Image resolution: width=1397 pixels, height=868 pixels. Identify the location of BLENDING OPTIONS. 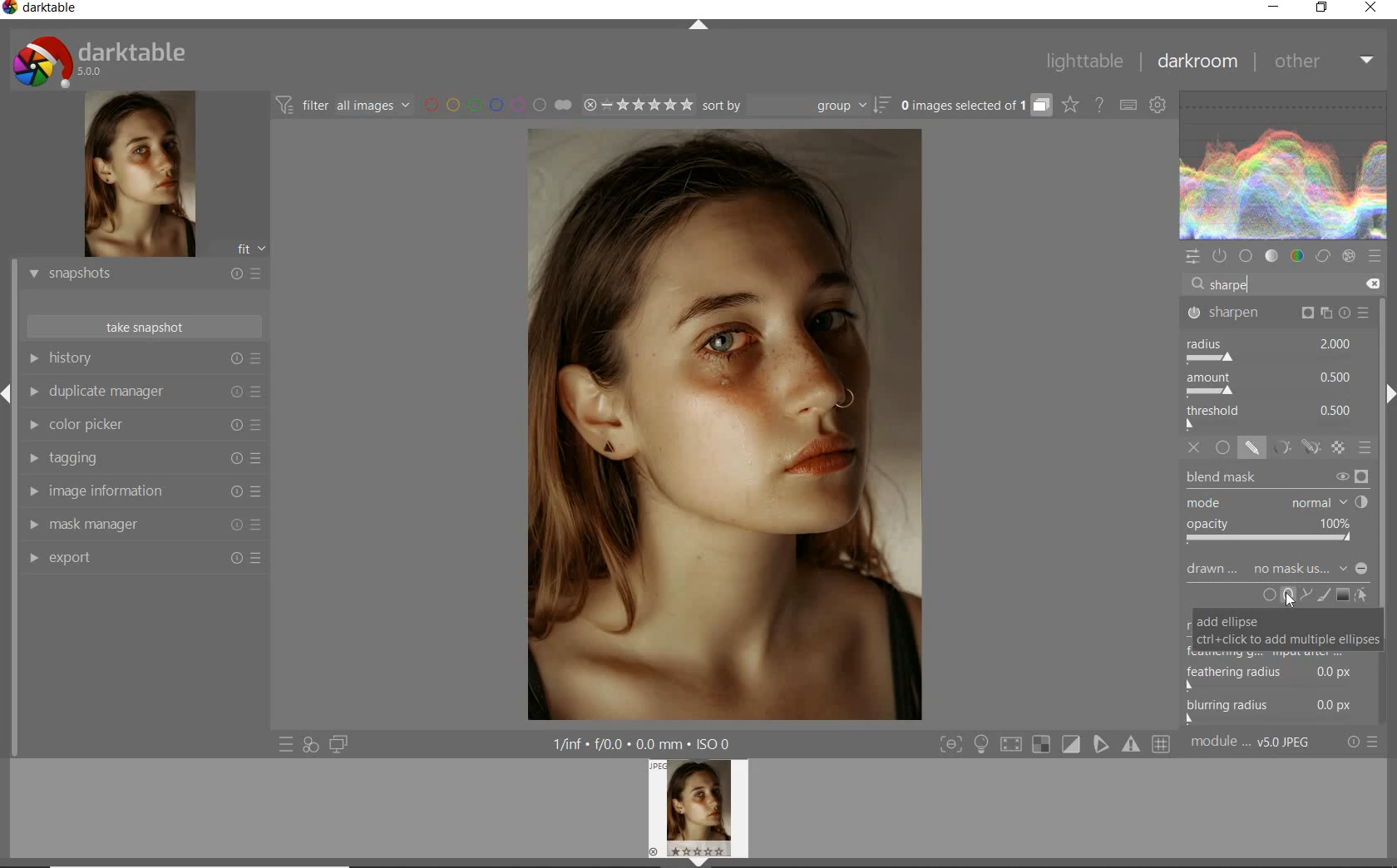
(1366, 447).